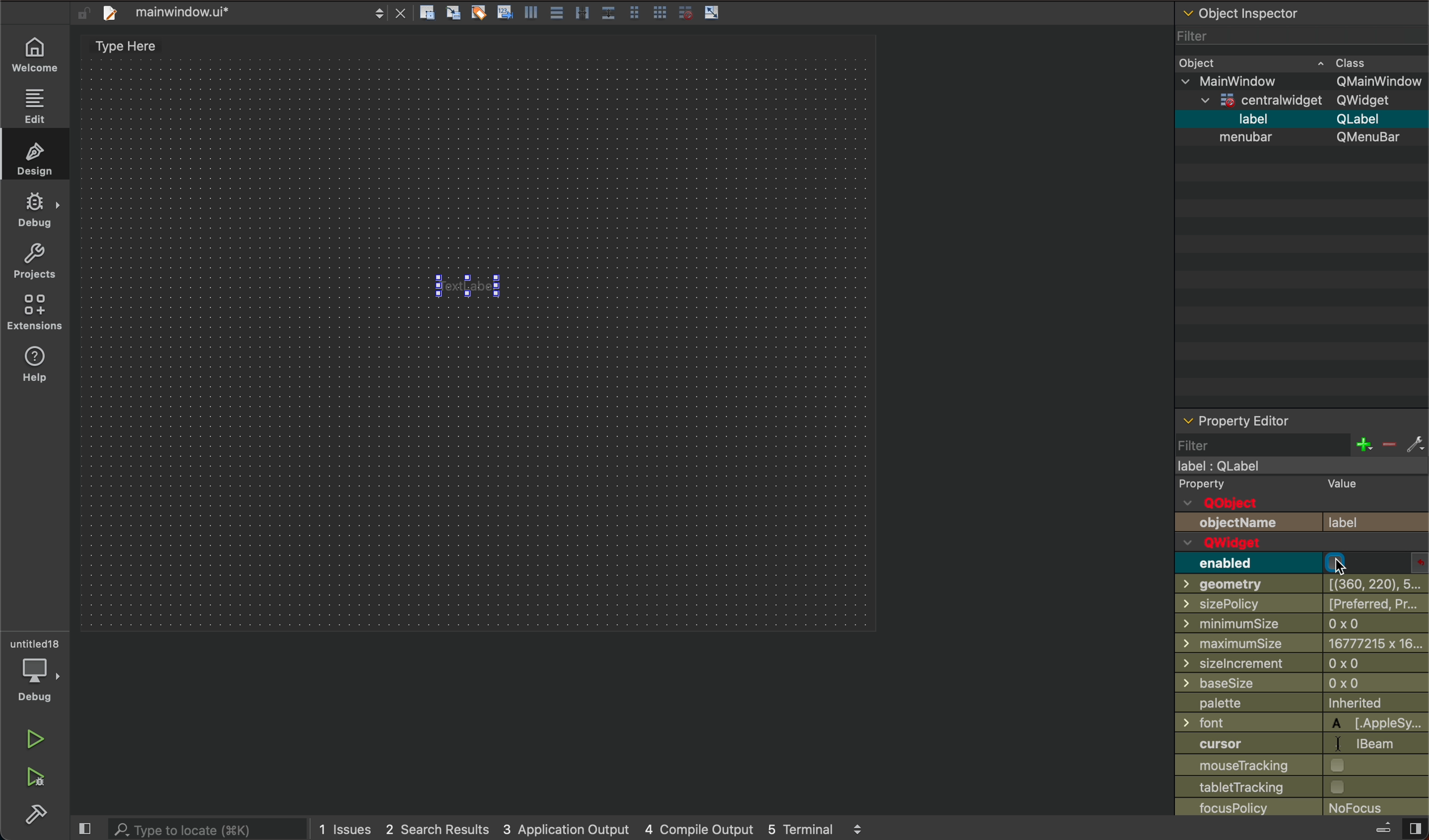  Describe the element at coordinates (208, 828) in the screenshot. I see `search` at that location.